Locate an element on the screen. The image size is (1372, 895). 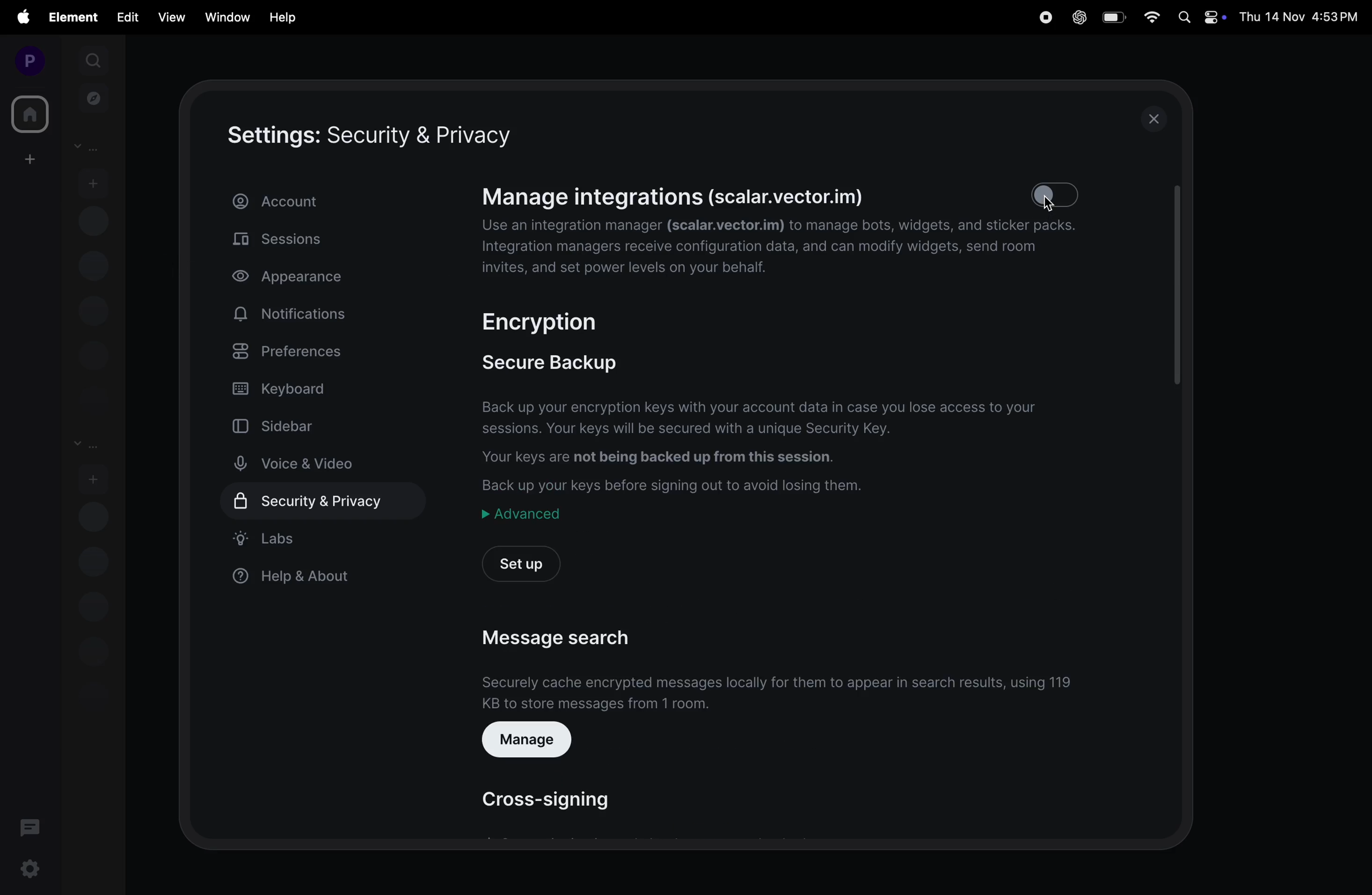
keyboard is located at coordinates (278, 391).